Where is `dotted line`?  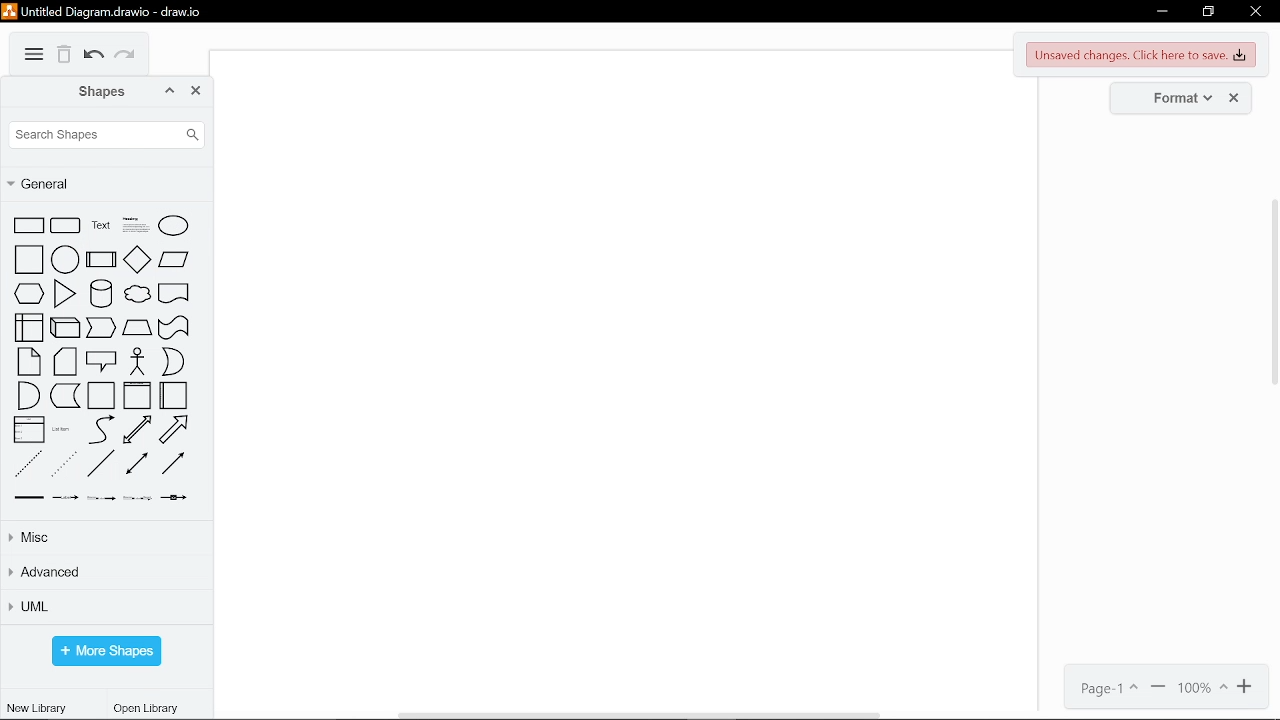 dotted line is located at coordinates (64, 464).